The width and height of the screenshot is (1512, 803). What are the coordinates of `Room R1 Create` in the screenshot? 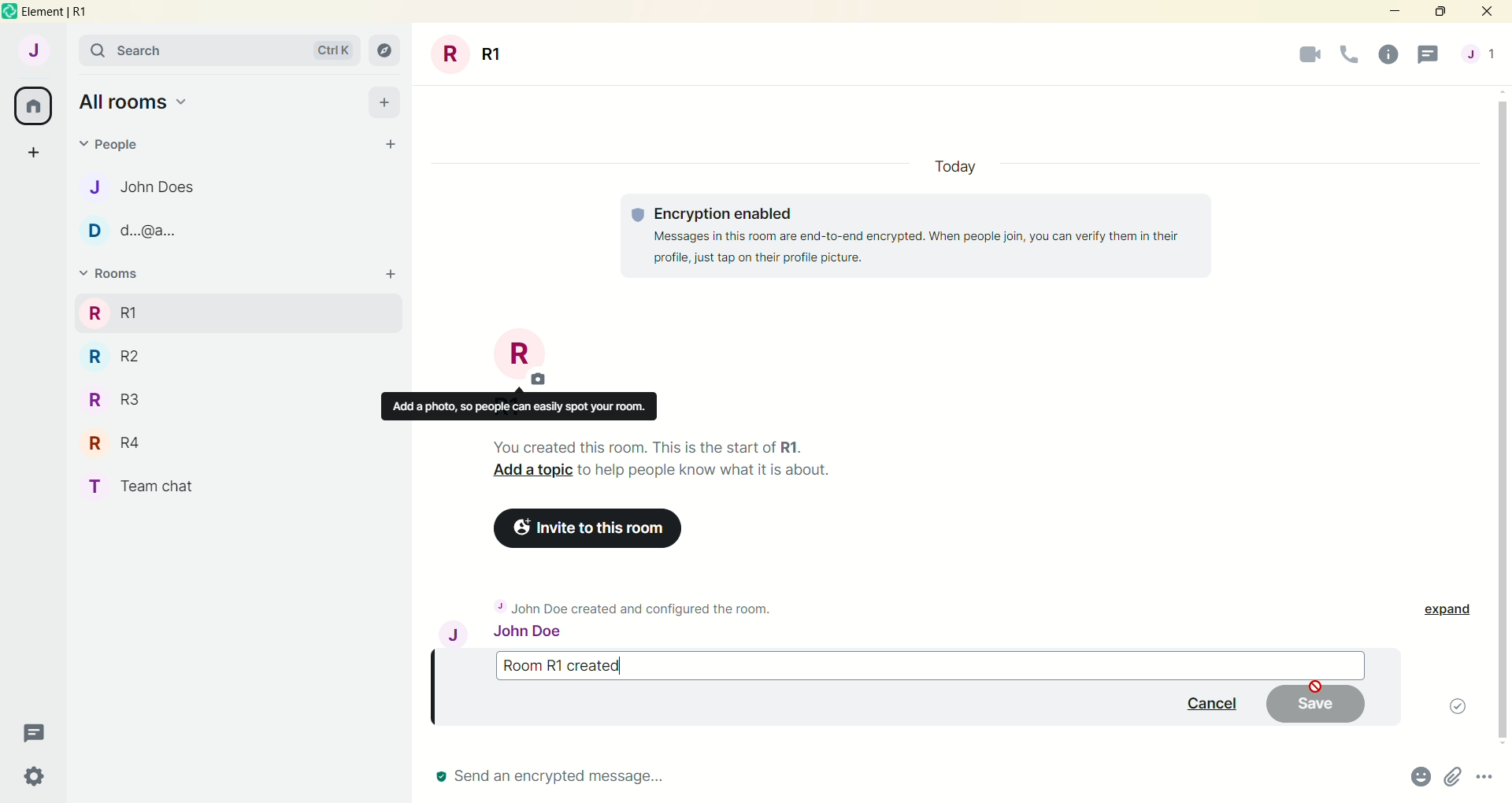 It's located at (909, 663).